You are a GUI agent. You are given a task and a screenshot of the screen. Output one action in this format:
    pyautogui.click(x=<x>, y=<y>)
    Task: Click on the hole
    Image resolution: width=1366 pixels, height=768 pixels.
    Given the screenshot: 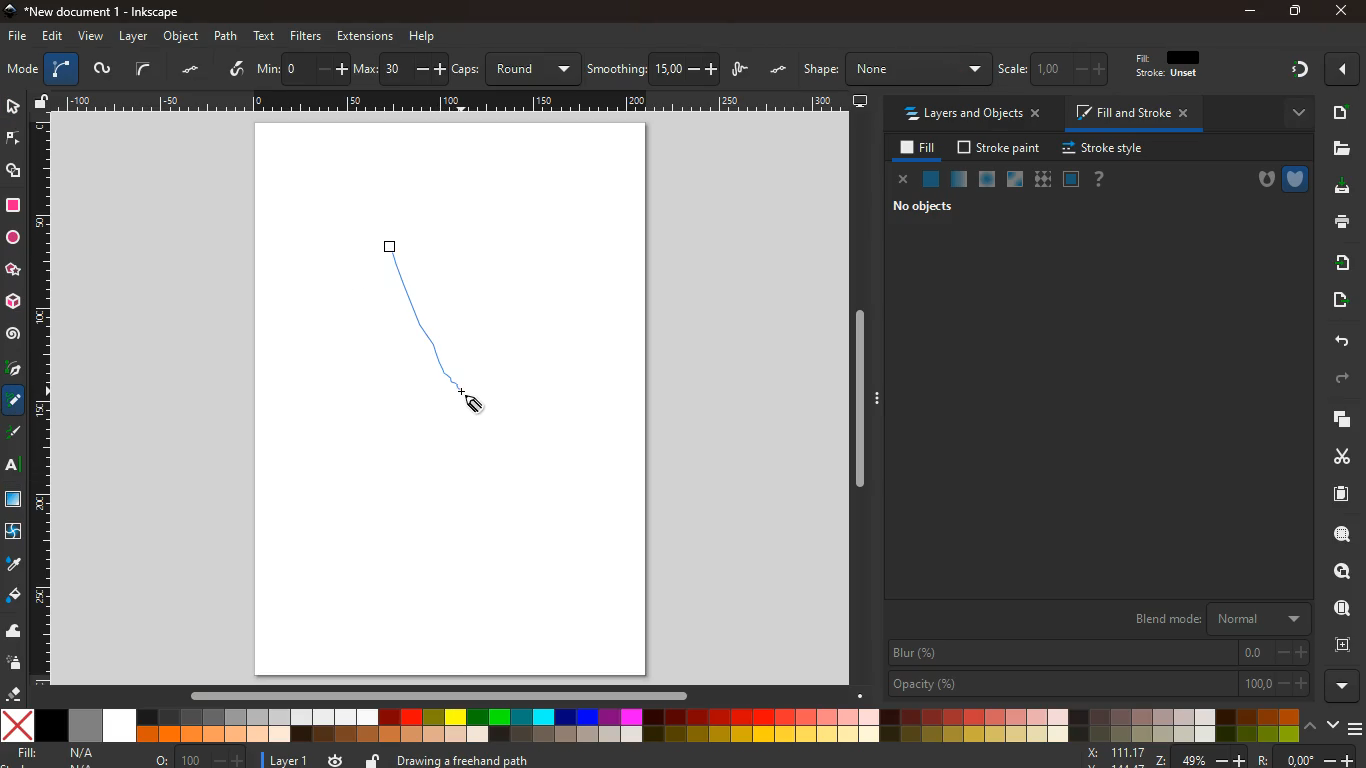 What is the action you would take?
    pyautogui.click(x=1260, y=182)
    